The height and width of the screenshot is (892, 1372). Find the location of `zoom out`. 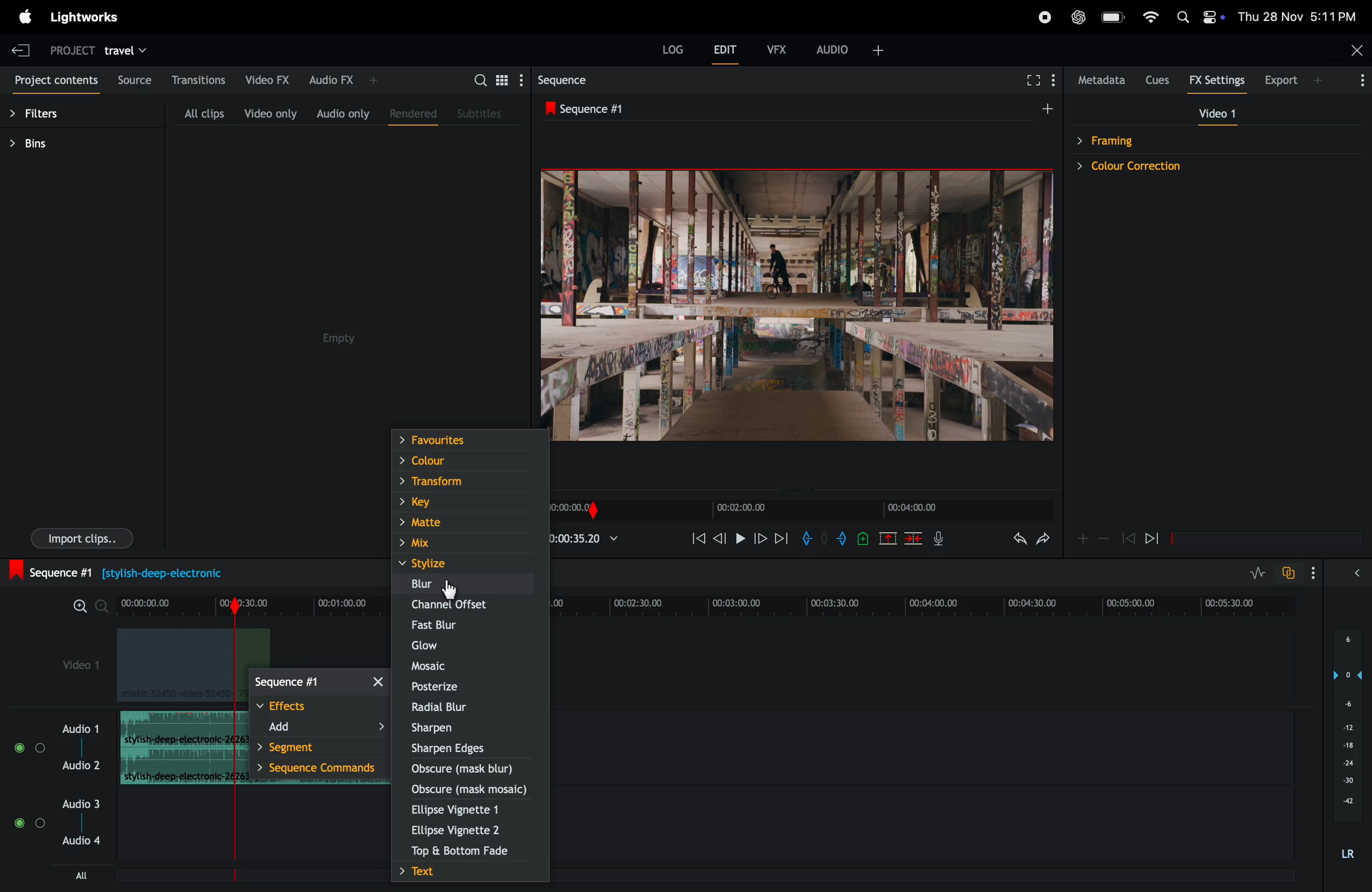

zoom out is located at coordinates (1104, 541).